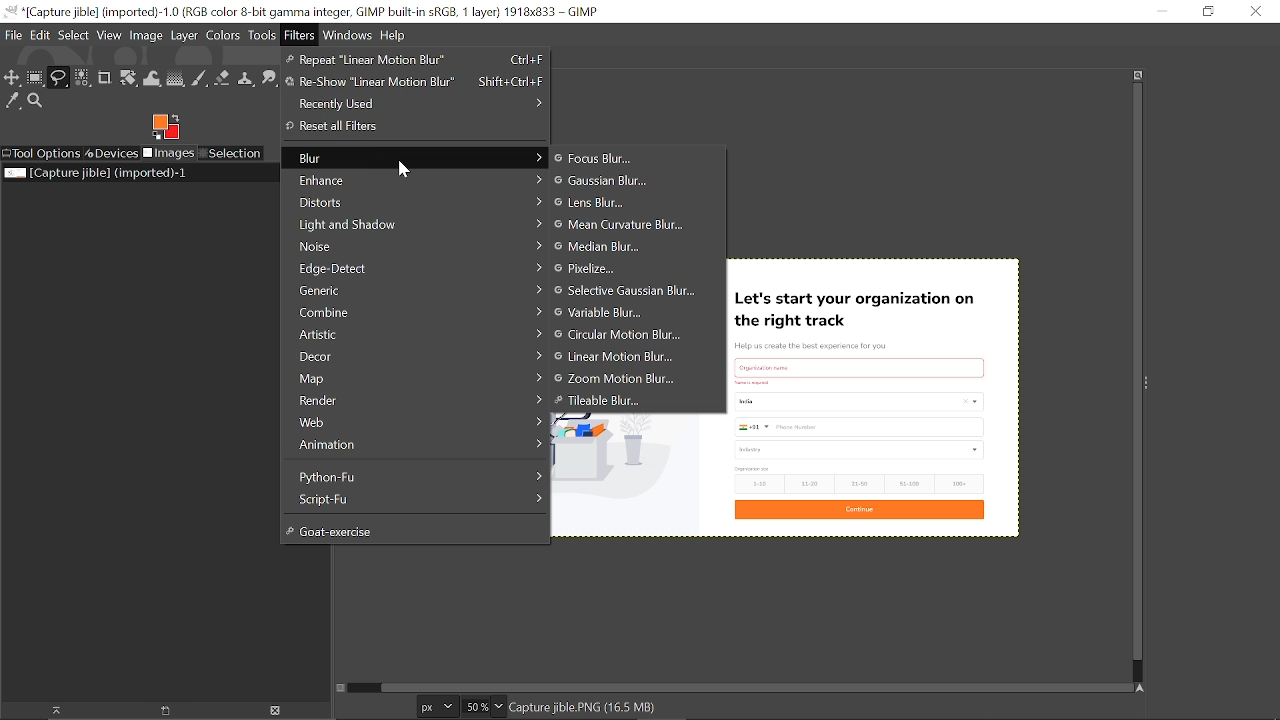 This screenshot has height=720, width=1280. I want to click on Free select tool, so click(58, 78).